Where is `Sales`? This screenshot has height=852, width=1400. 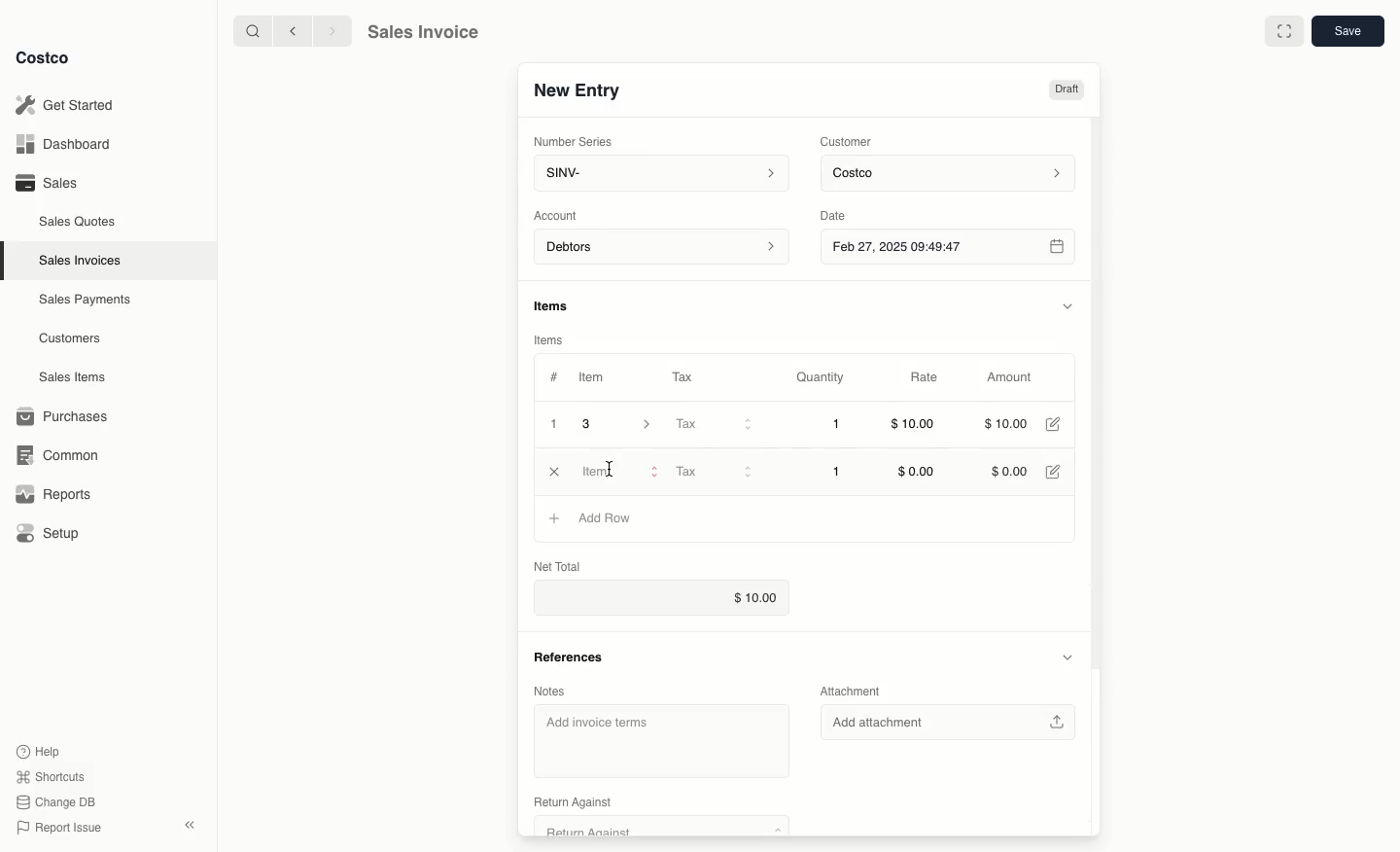 Sales is located at coordinates (45, 182).